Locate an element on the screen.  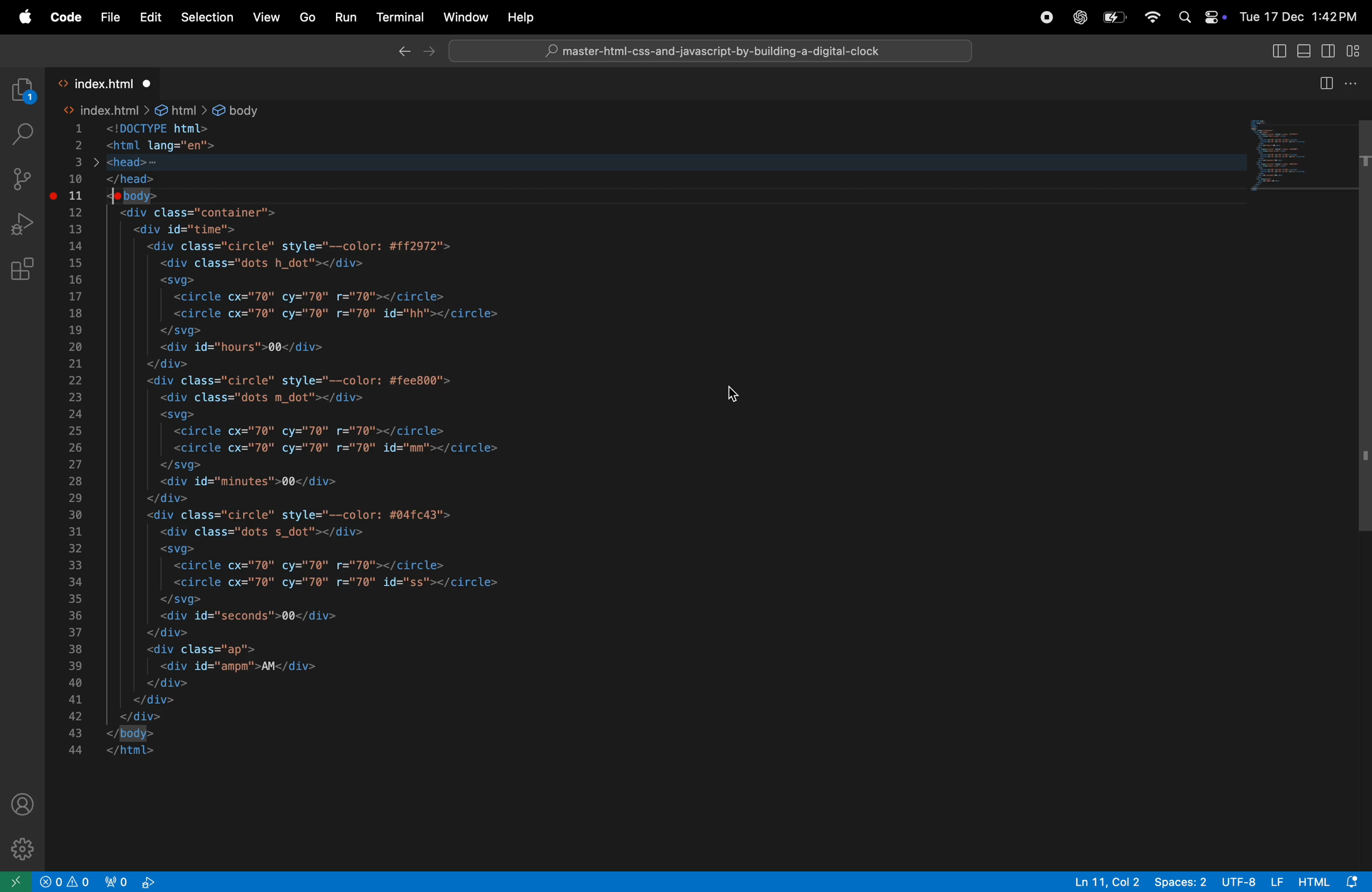
Next is located at coordinates (431, 54).